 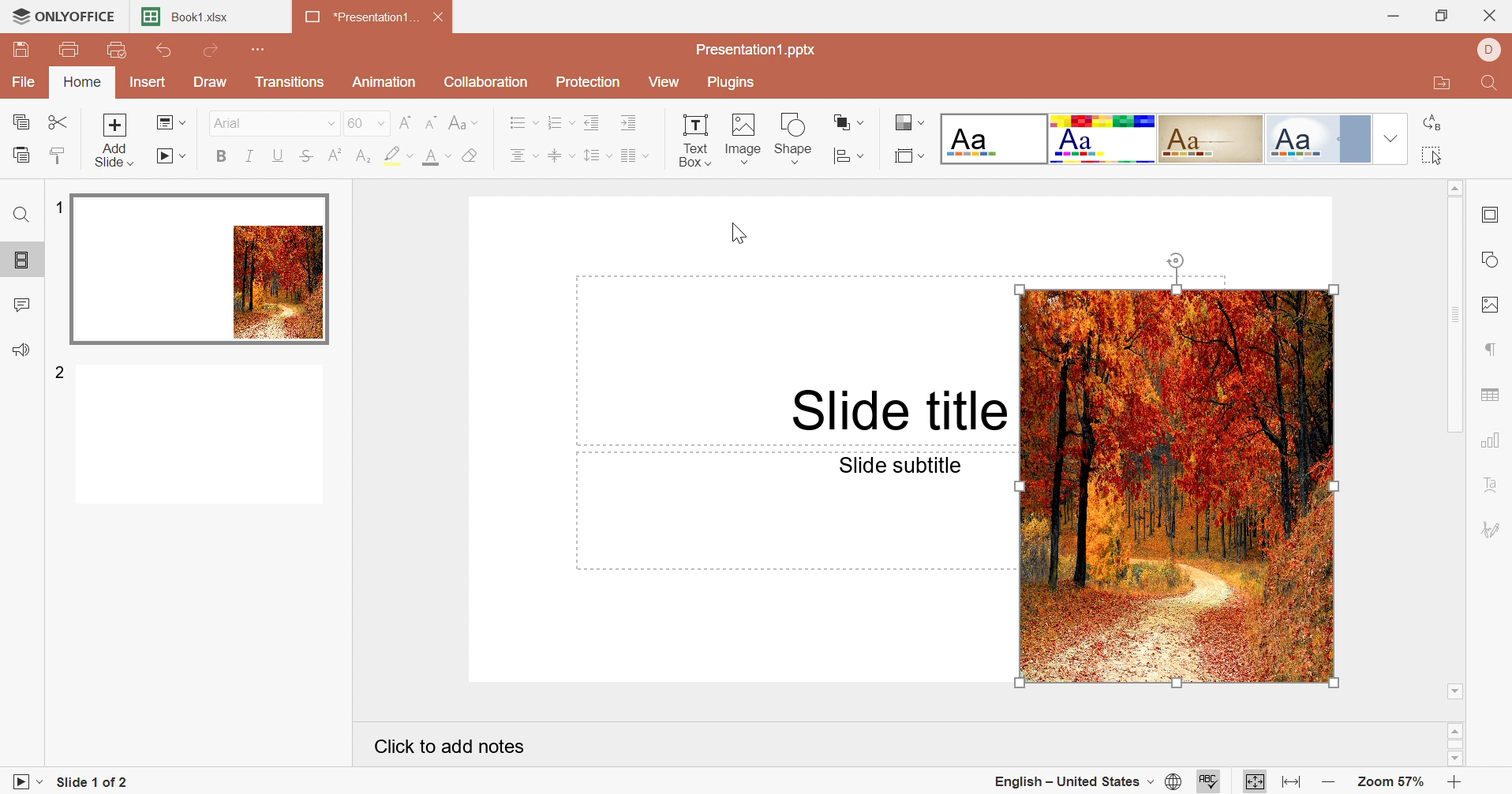 I want to click on DELL, so click(x=1489, y=51).